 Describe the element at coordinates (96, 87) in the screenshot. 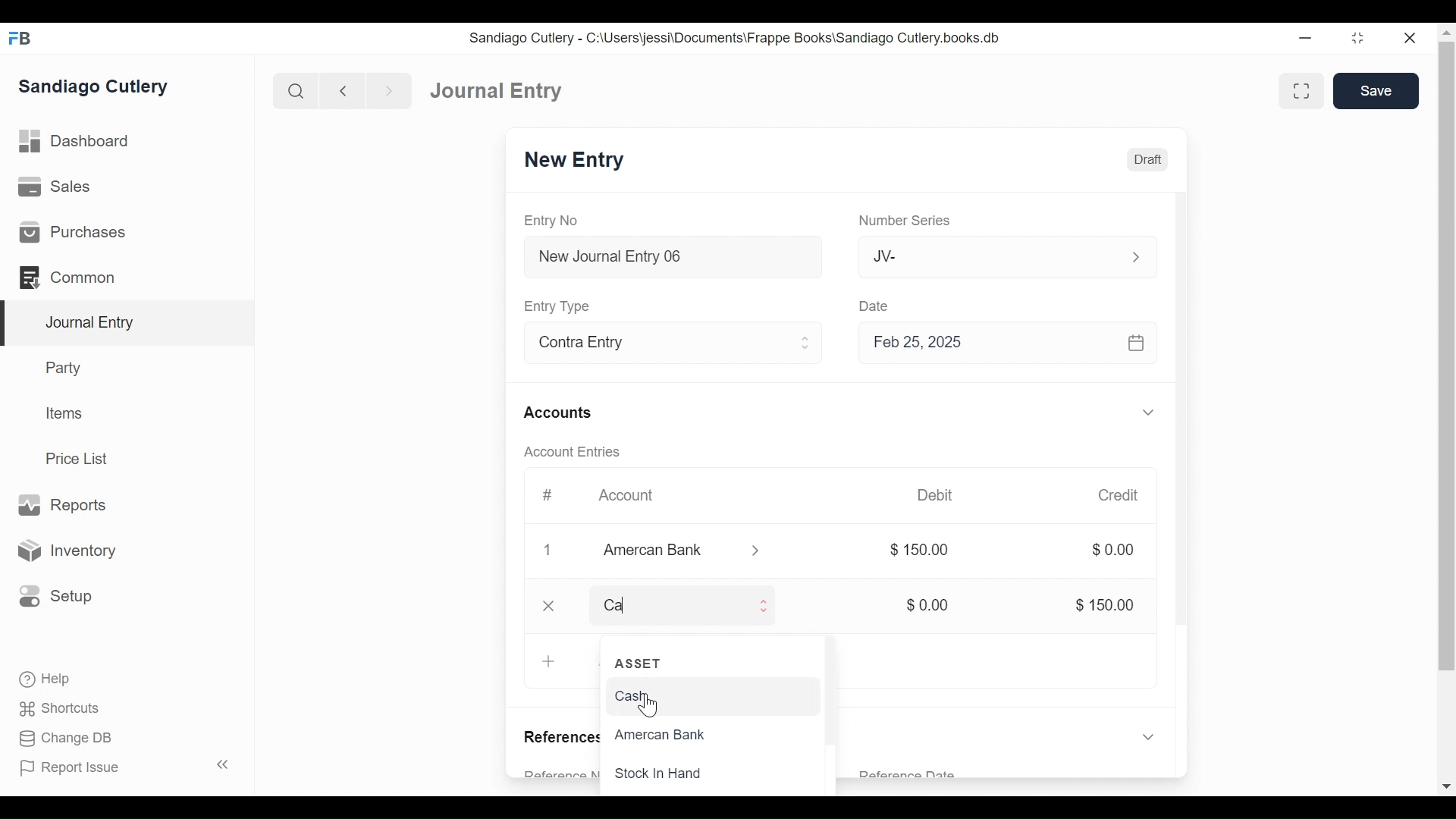

I see `Sandiago Cutlery` at that location.